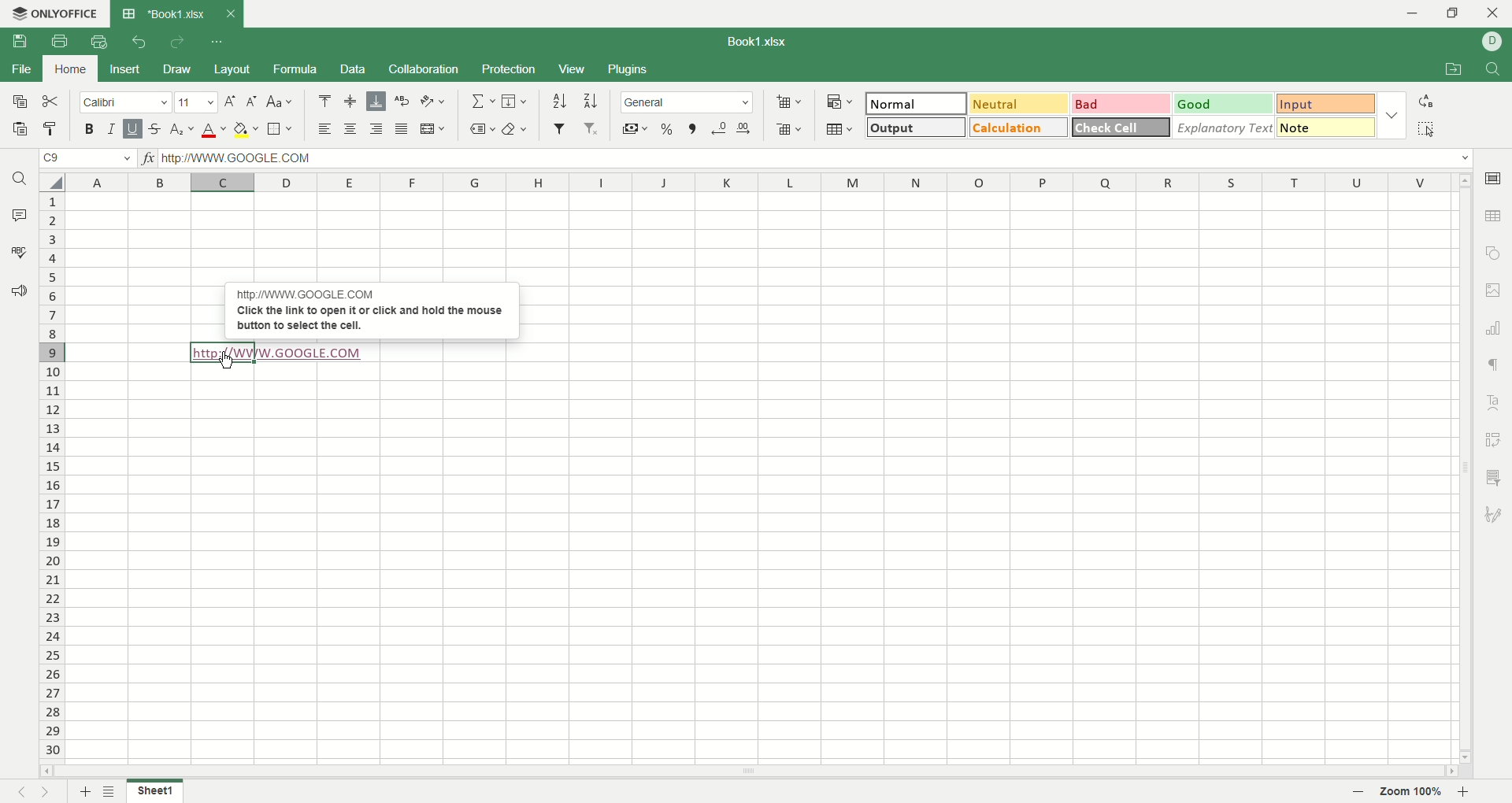 The width and height of the screenshot is (1512, 803). I want to click on increase size, so click(231, 102).